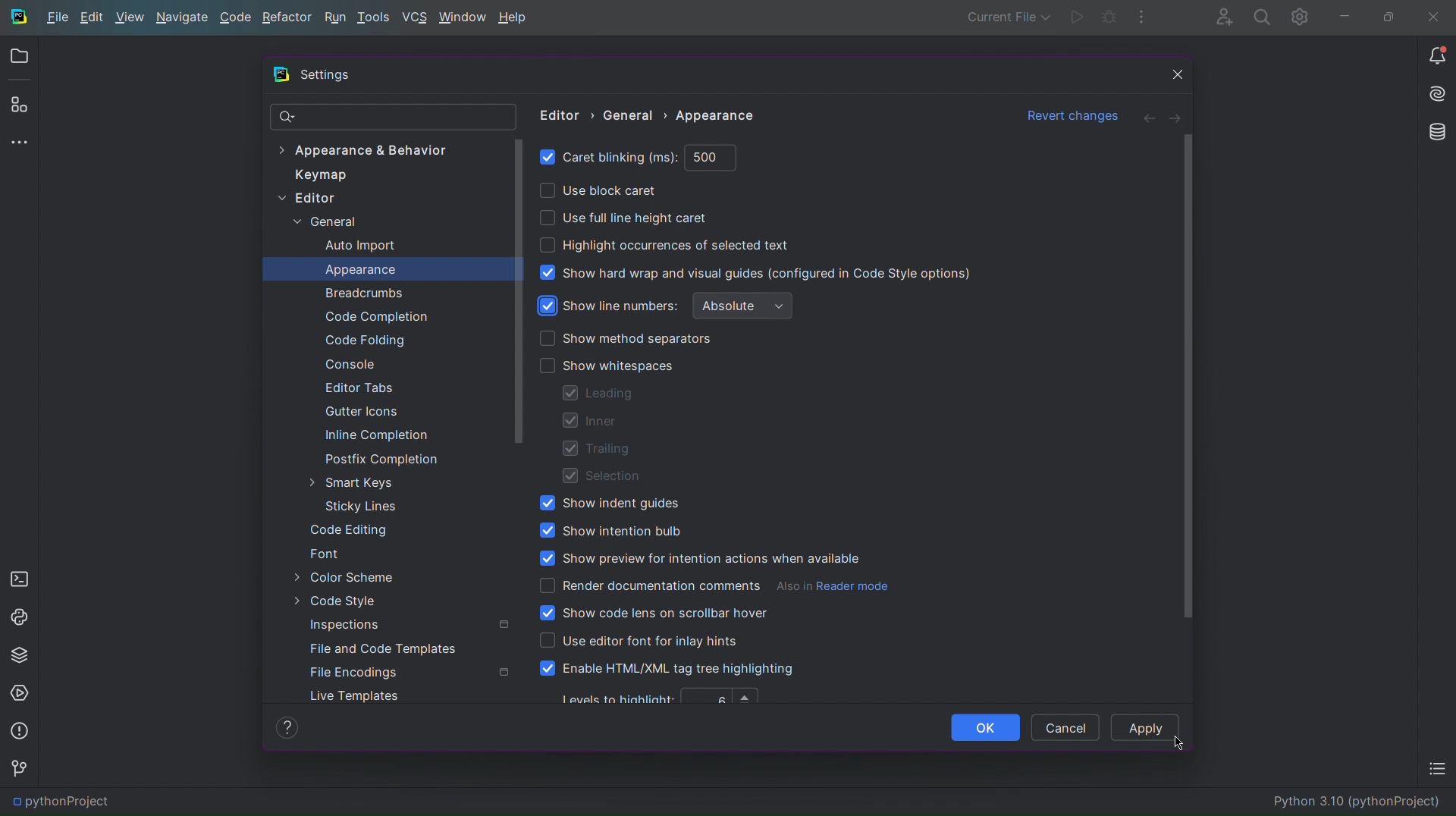 This screenshot has width=1456, height=816. Describe the element at coordinates (984, 727) in the screenshot. I see `OK` at that location.